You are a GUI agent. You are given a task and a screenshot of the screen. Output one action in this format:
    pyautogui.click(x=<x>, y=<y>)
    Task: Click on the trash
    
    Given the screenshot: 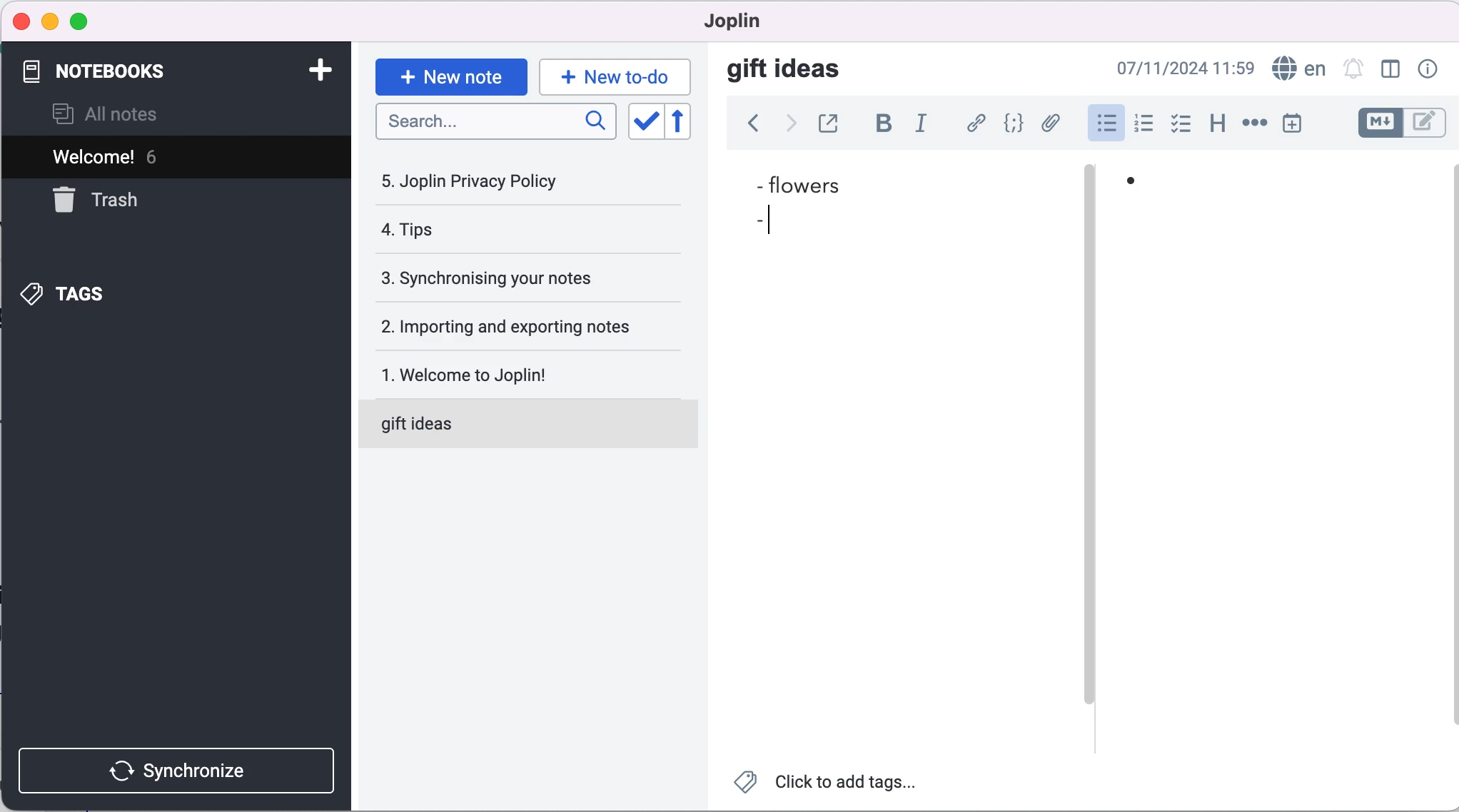 What is the action you would take?
    pyautogui.click(x=111, y=201)
    